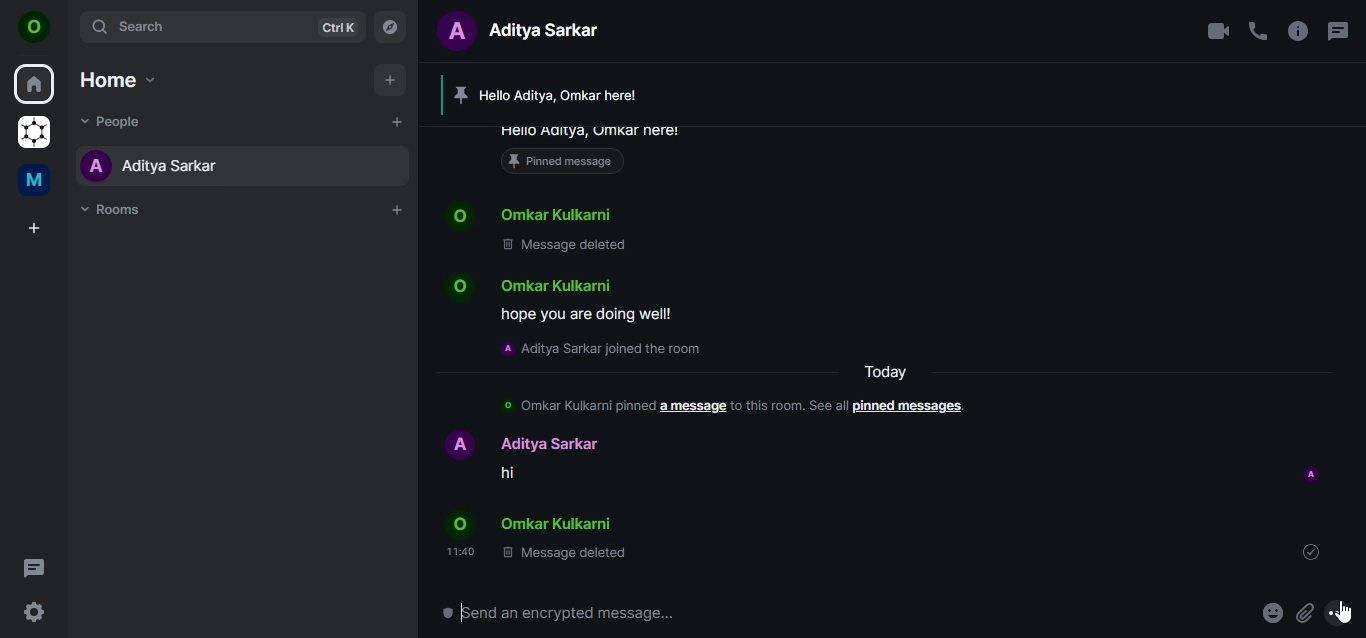 This screenshot has width=1366, height=638. What do you see at coordinates (1273, 615) in the screenshot?
I see `react` at bounding box center [1273, 615].